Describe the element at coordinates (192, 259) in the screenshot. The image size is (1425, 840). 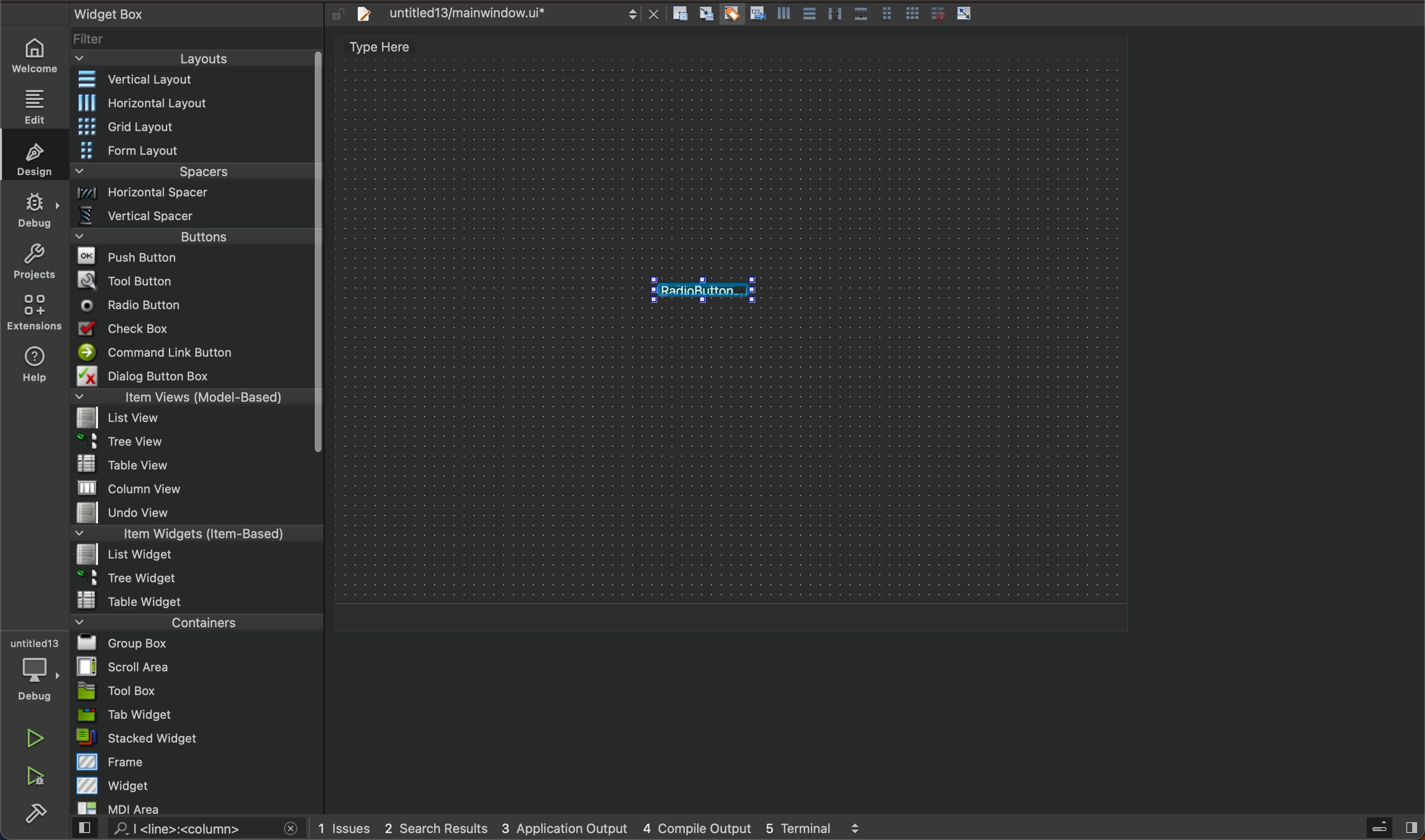
I see `push button` at that location.